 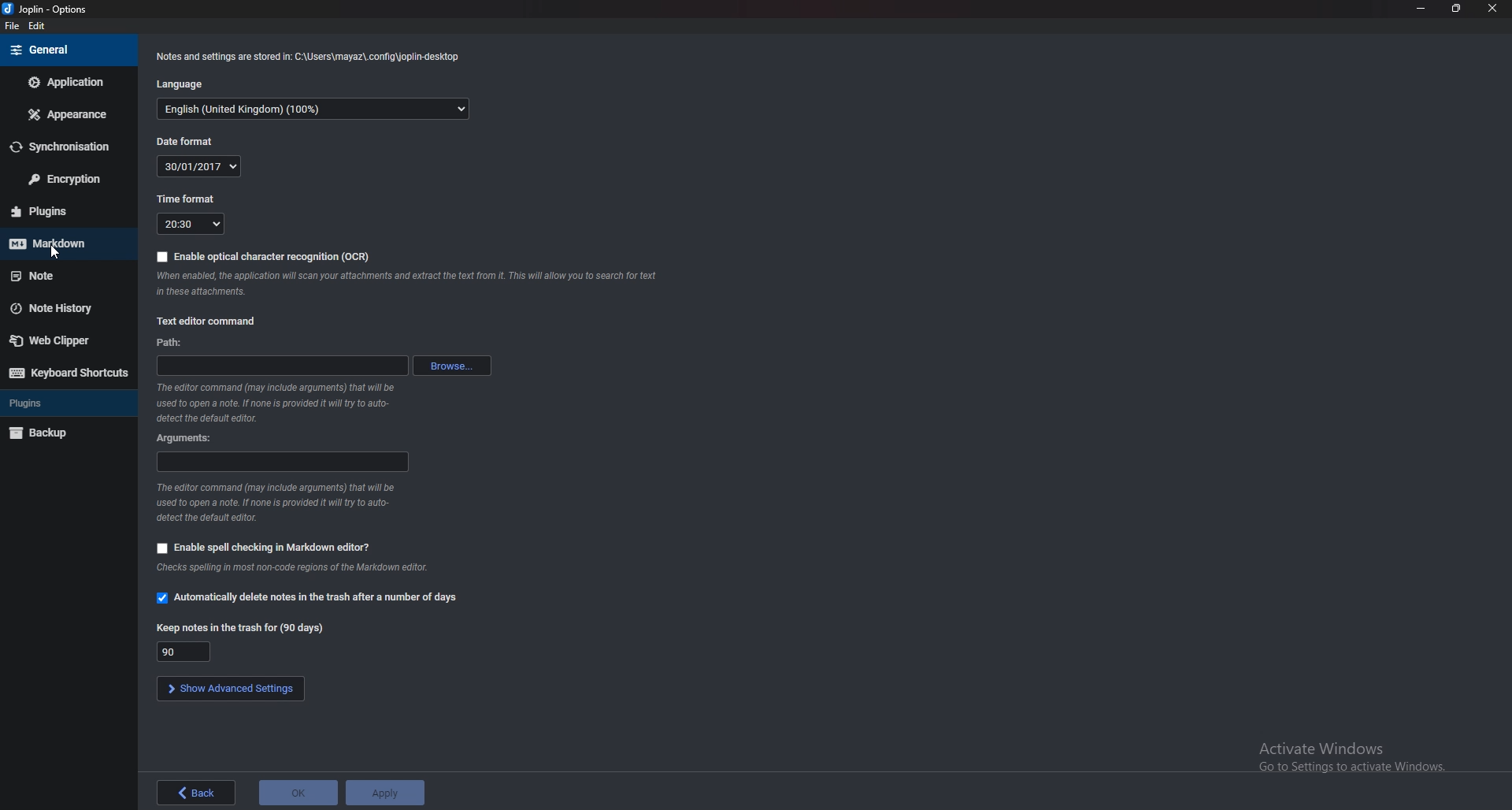 What do you see at coordinates (275, 503) in the screenshot?
I see `Info` at bounding box center [275, 503].